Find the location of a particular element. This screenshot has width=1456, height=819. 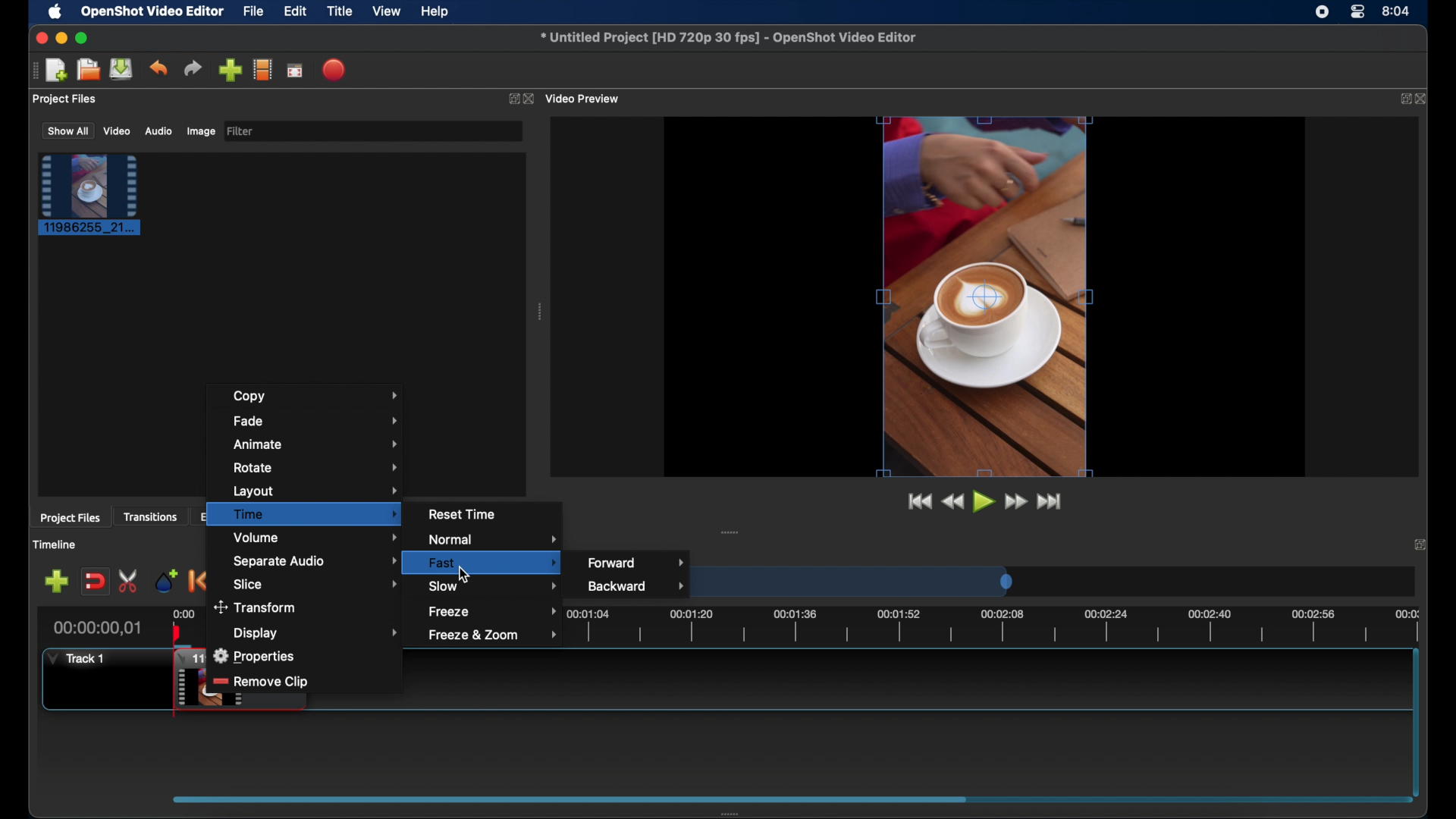

copy menu is located at coordinates (316, 397).